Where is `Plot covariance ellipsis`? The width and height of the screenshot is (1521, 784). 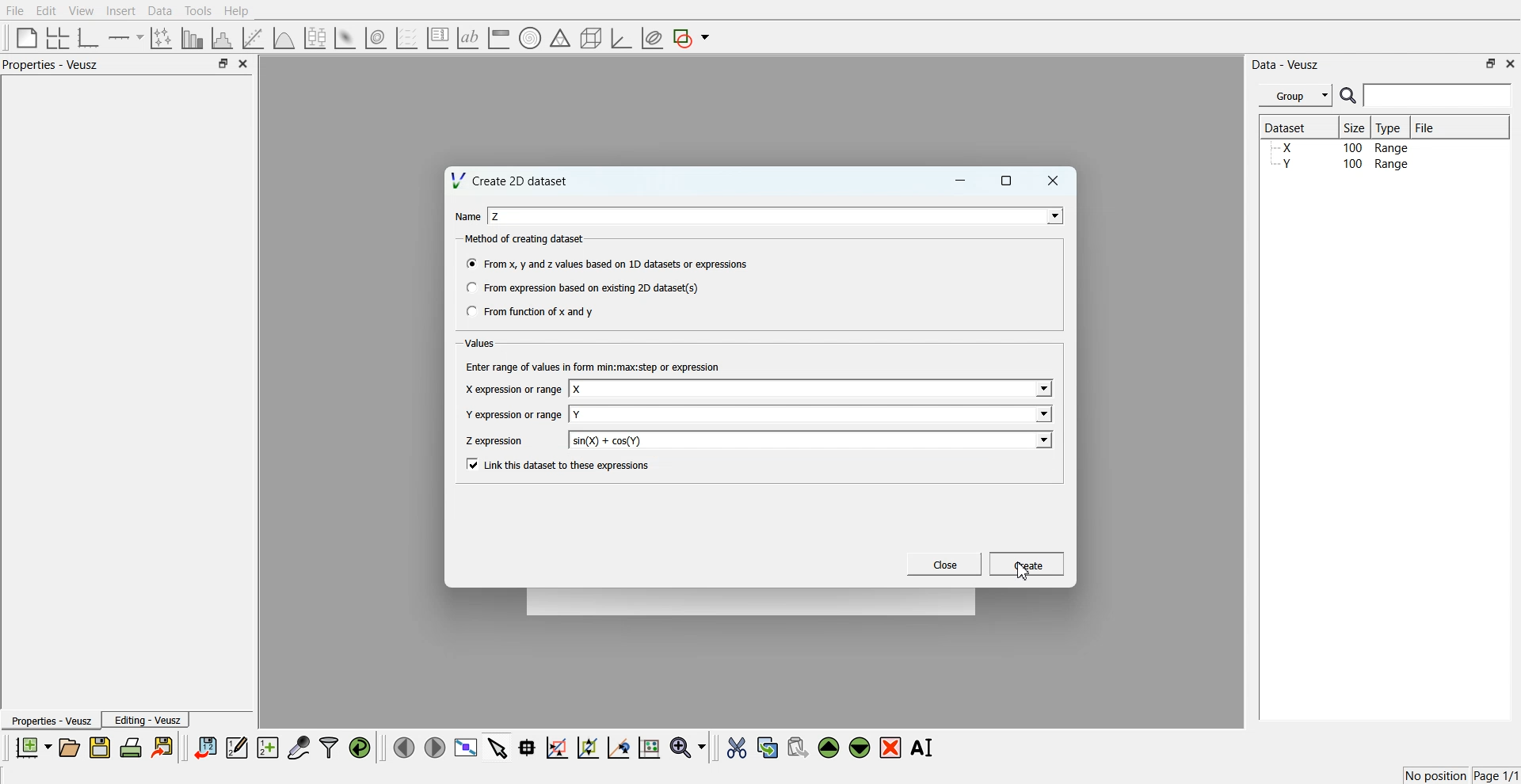 Plot covariance ellipsis is located at coordinates (653, 39).